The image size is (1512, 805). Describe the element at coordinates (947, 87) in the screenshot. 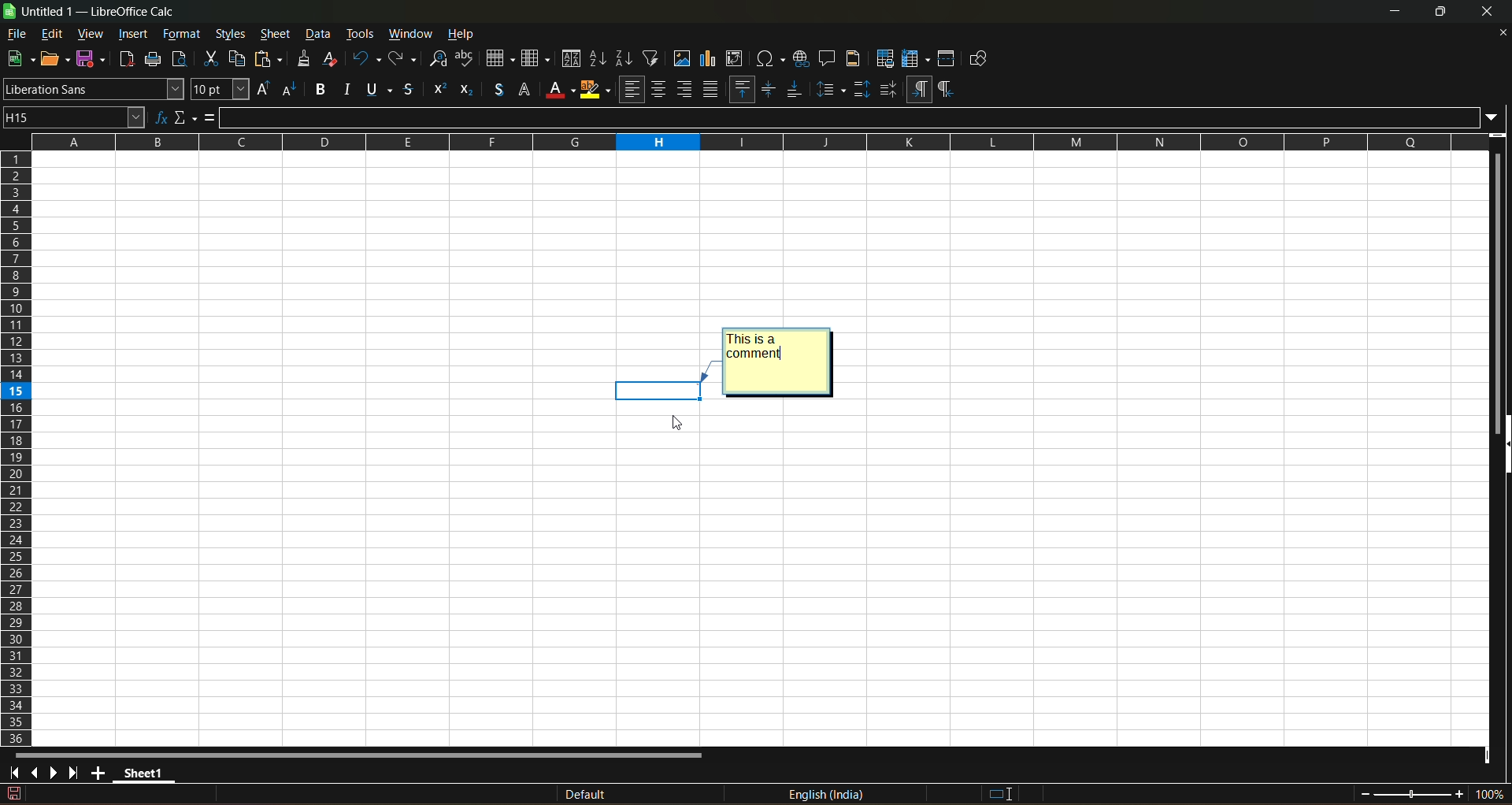

I see `border` at that location.